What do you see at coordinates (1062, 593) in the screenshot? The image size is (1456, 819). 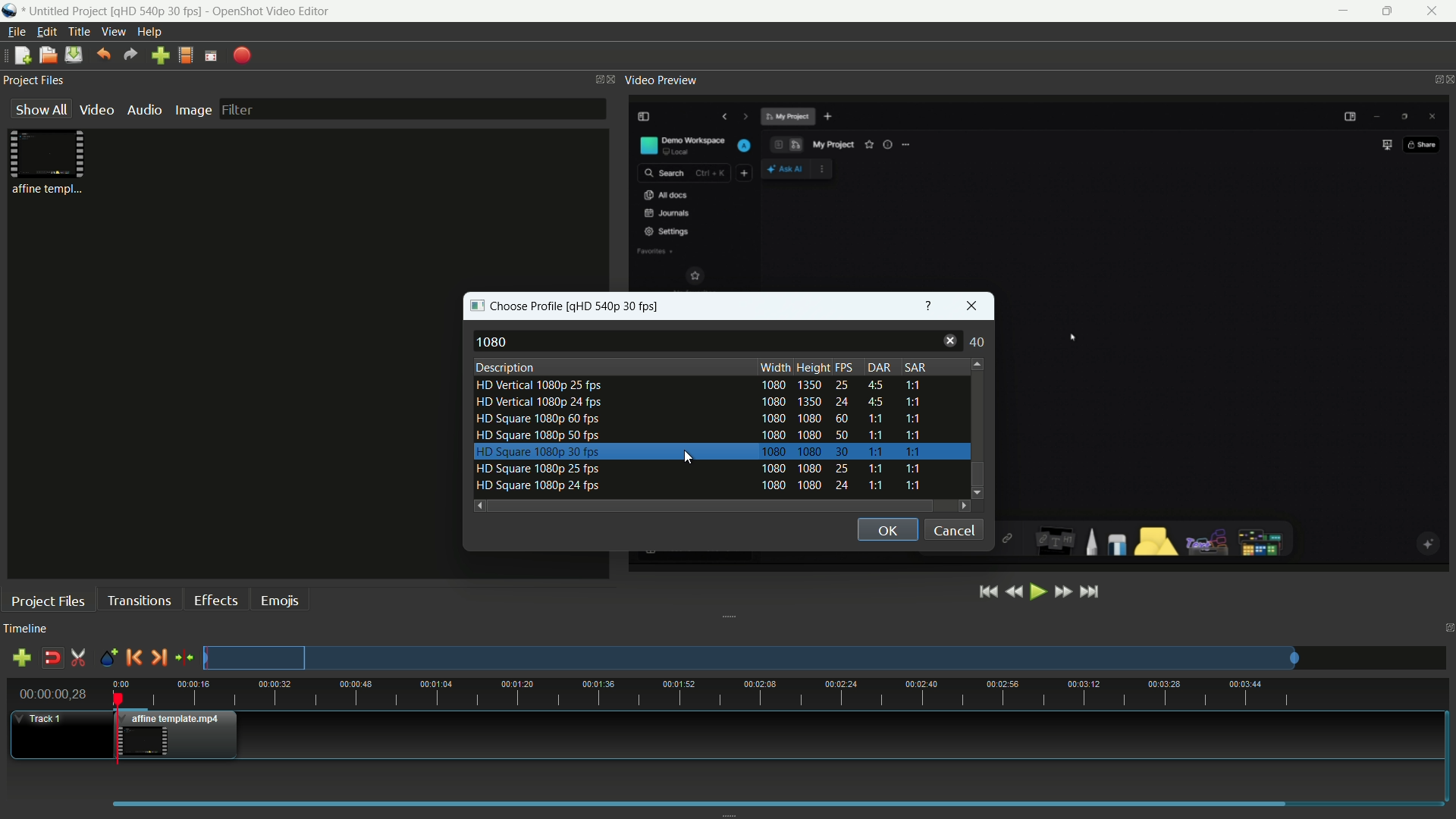 I see `fast forward` at bounding box center [1062, 593].